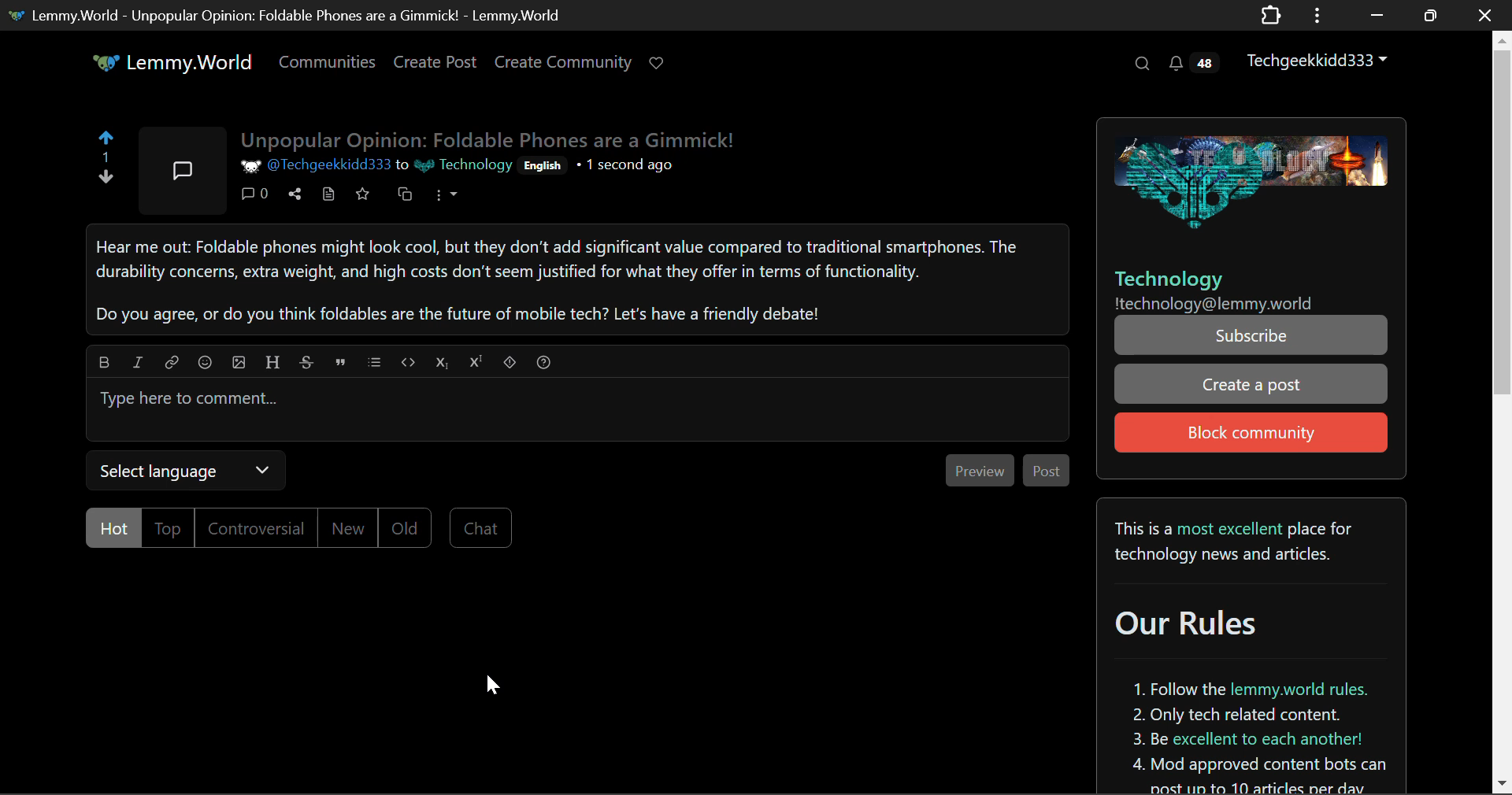  I want to click on Communities, so click(328, 65).